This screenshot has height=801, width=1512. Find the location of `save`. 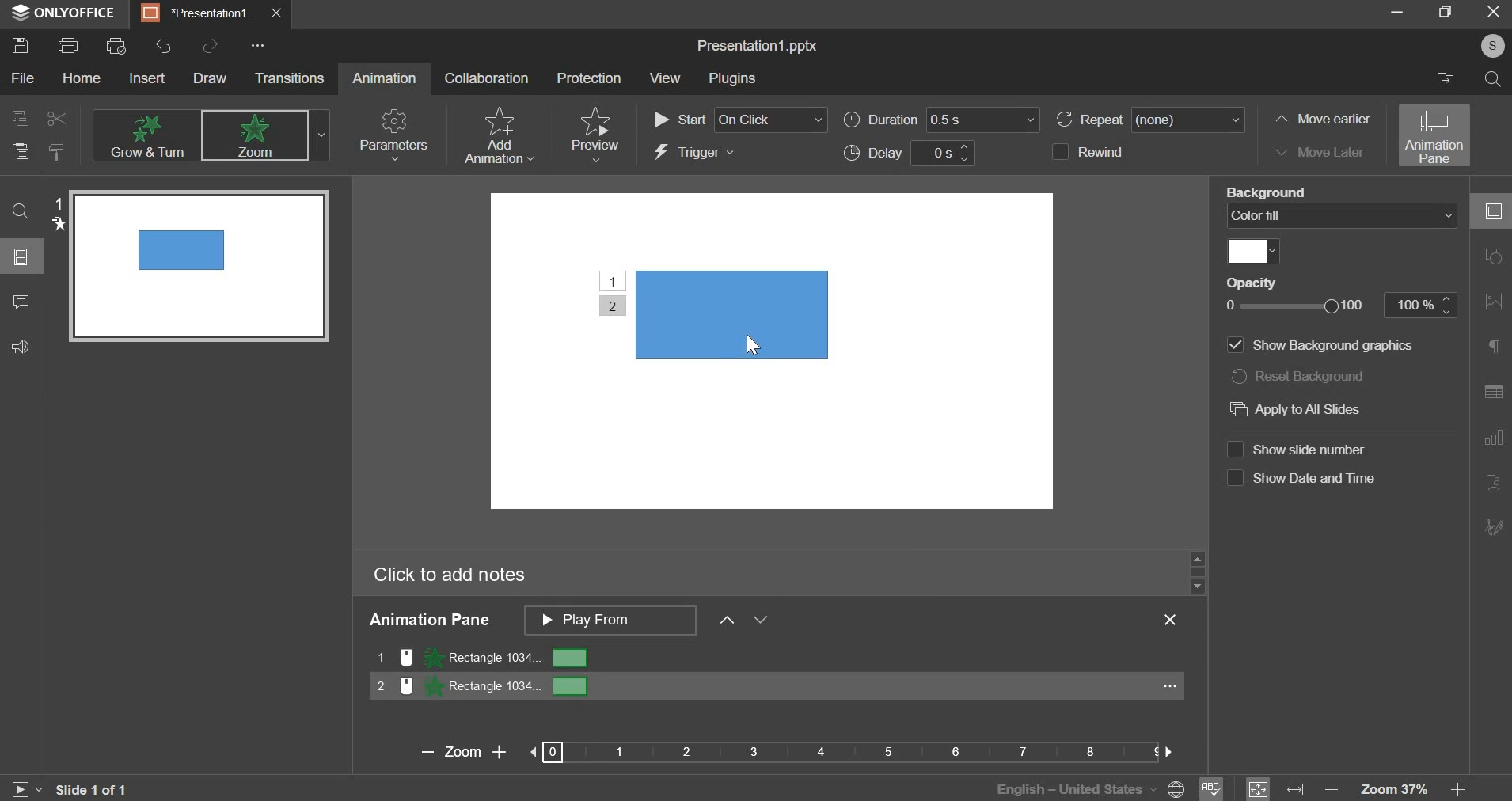

save is located at coordinates (22, 45).